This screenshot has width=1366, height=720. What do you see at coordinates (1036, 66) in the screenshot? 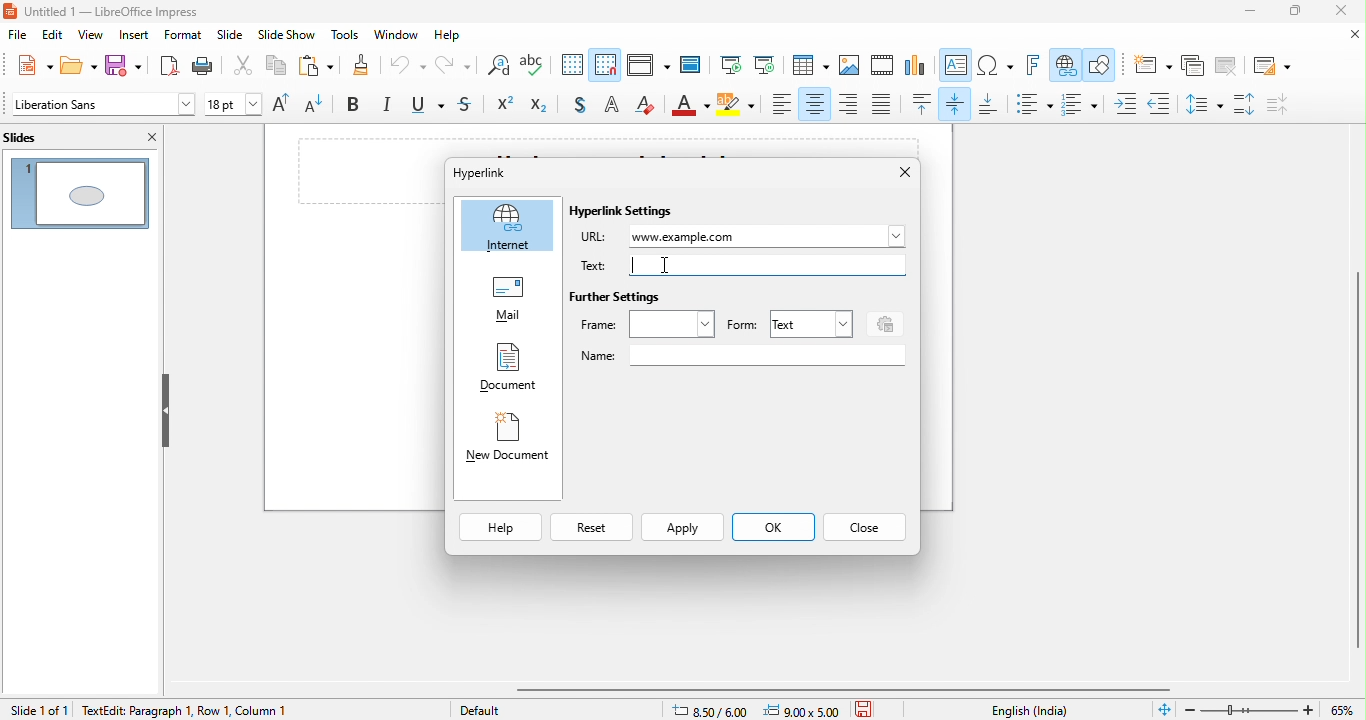
I see `fontwork text` at bounding box center [1036, 66].